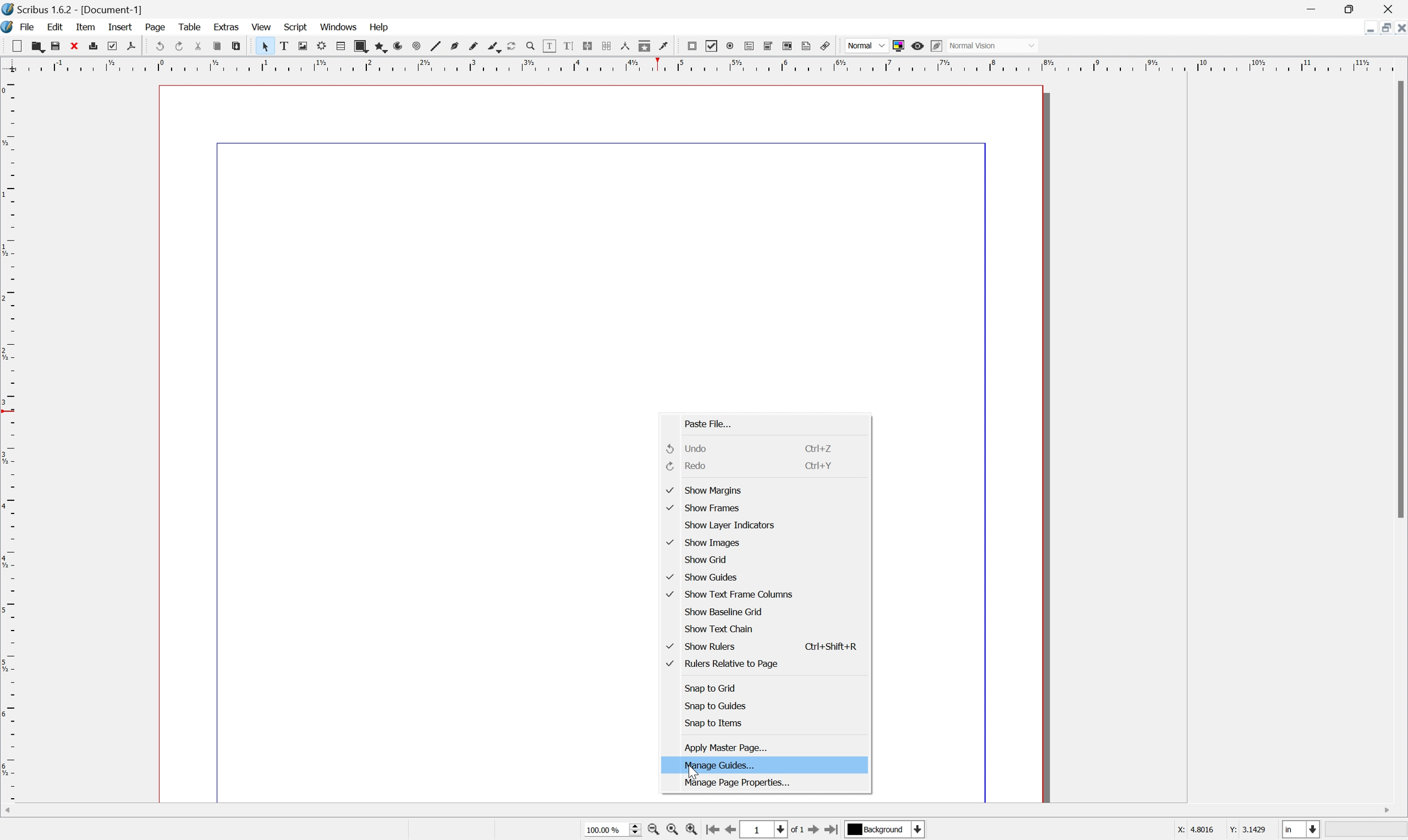 The width and height of the screenshot is (1408, 840). Describe the element at coordinates (992, 45) in the screenshot. I see `normal vision` at that location.